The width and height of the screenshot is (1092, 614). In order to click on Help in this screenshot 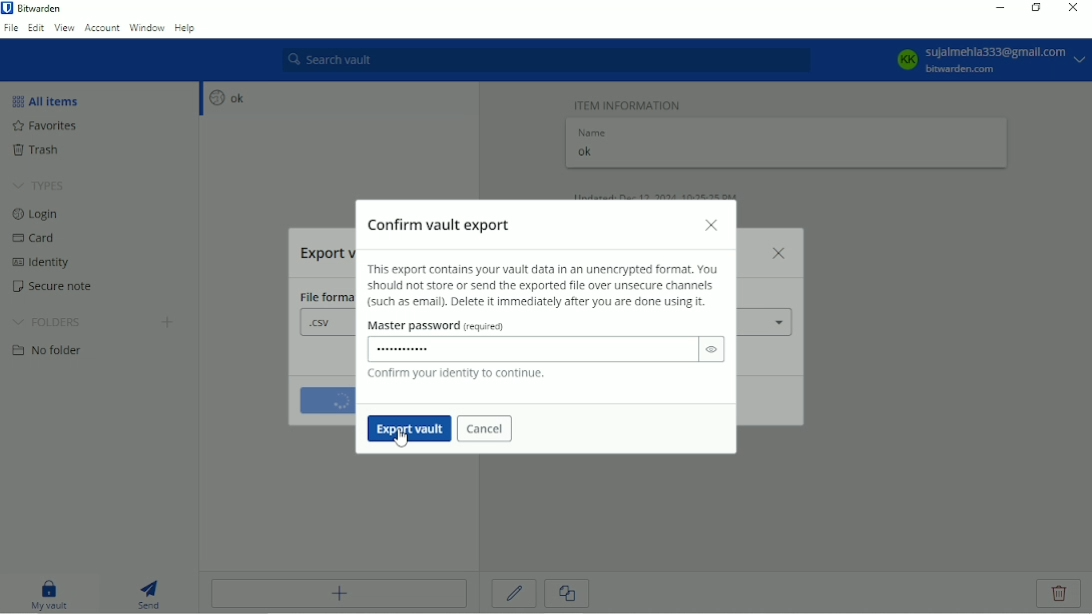, I will do `click(186, 29)`.